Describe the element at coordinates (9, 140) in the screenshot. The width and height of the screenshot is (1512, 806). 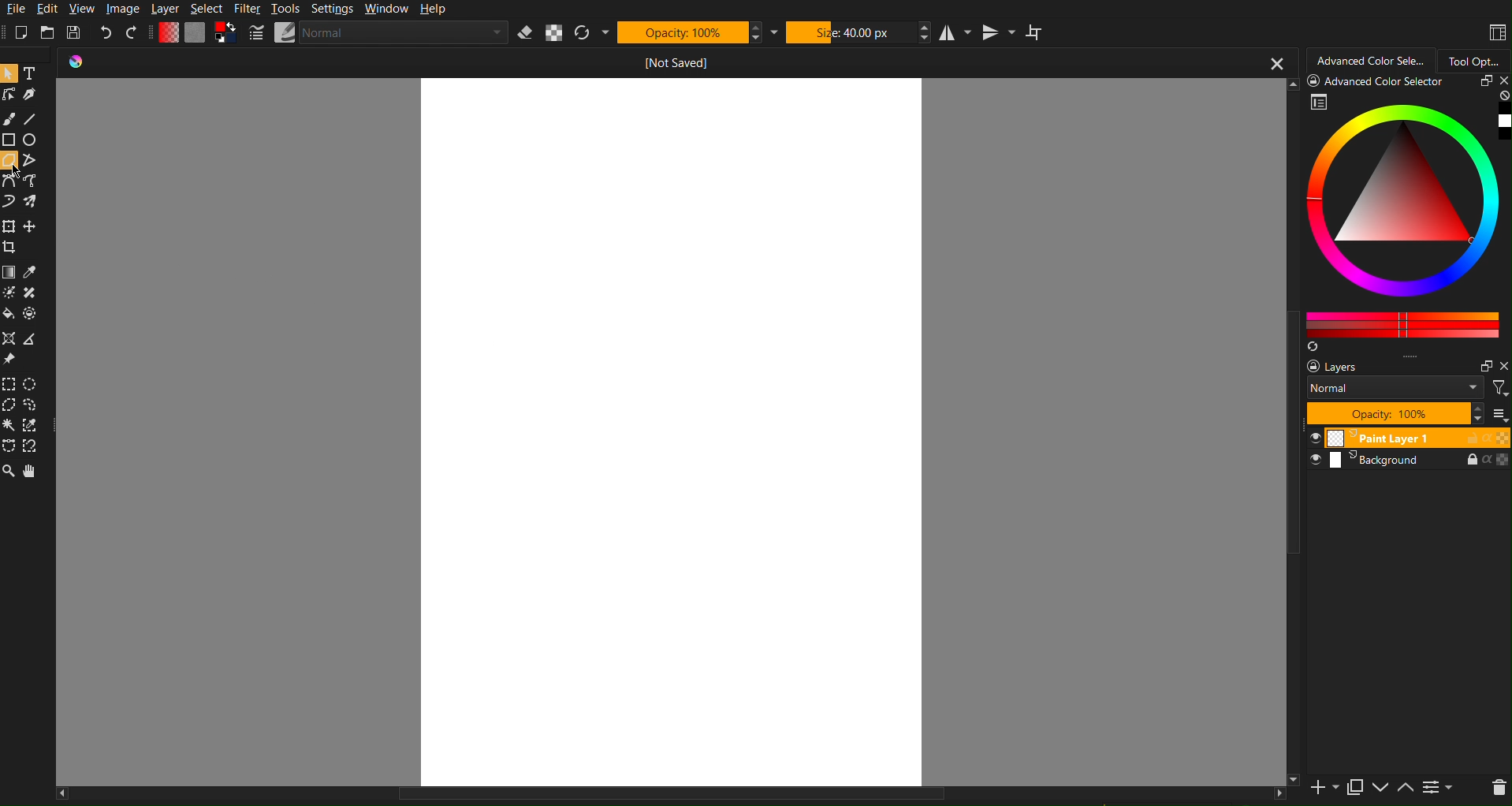
I see `rectangle tool` at that location.